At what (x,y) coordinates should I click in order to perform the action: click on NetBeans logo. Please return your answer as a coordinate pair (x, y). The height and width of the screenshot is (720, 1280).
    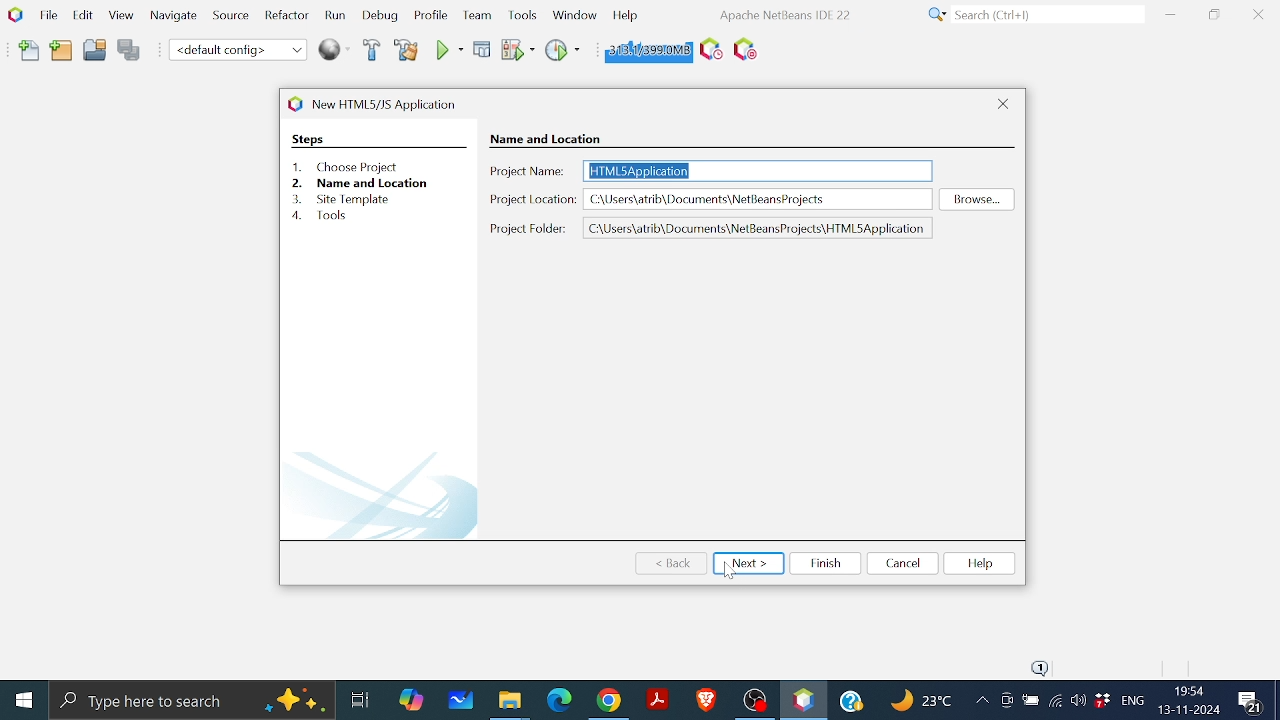
    Looking at the image, I should click on (14, 14).